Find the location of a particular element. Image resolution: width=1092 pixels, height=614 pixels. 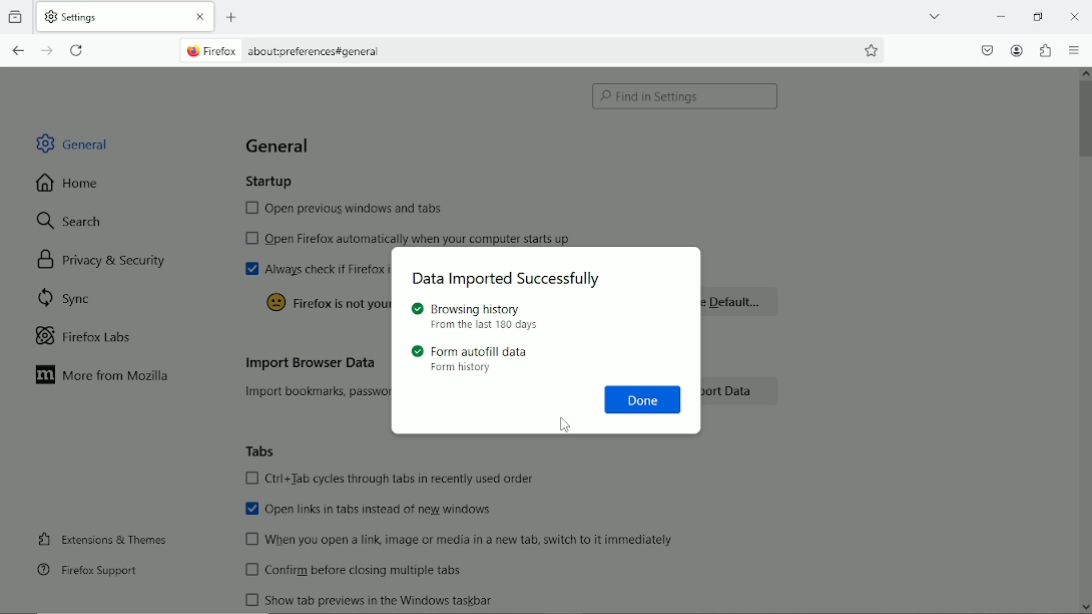

Ctrl+Tab cycles through tabs in recently used order is located at coordinates (389, 478).